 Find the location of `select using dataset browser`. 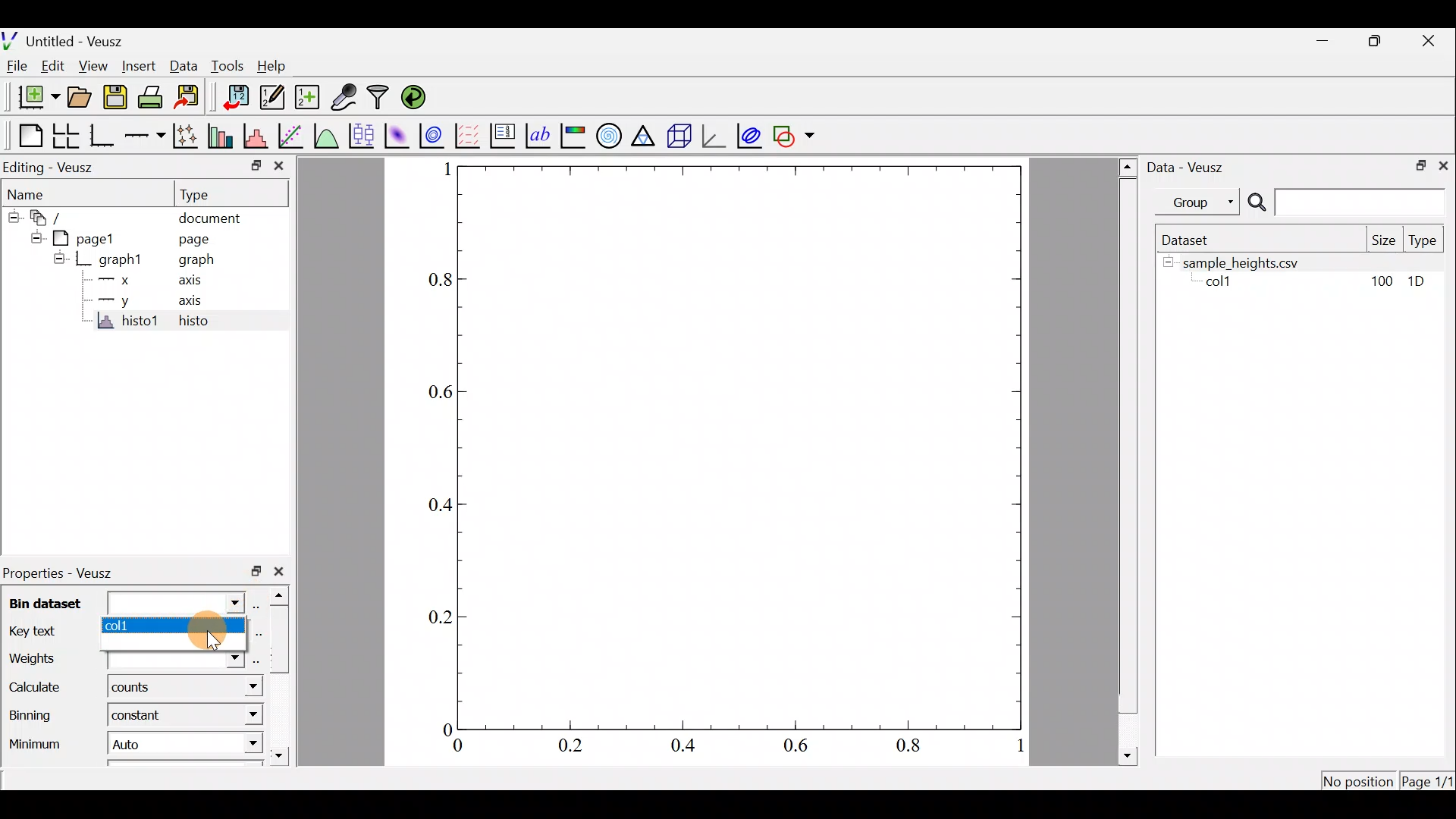

select using dataset browser is located at coordinates (255, 631).